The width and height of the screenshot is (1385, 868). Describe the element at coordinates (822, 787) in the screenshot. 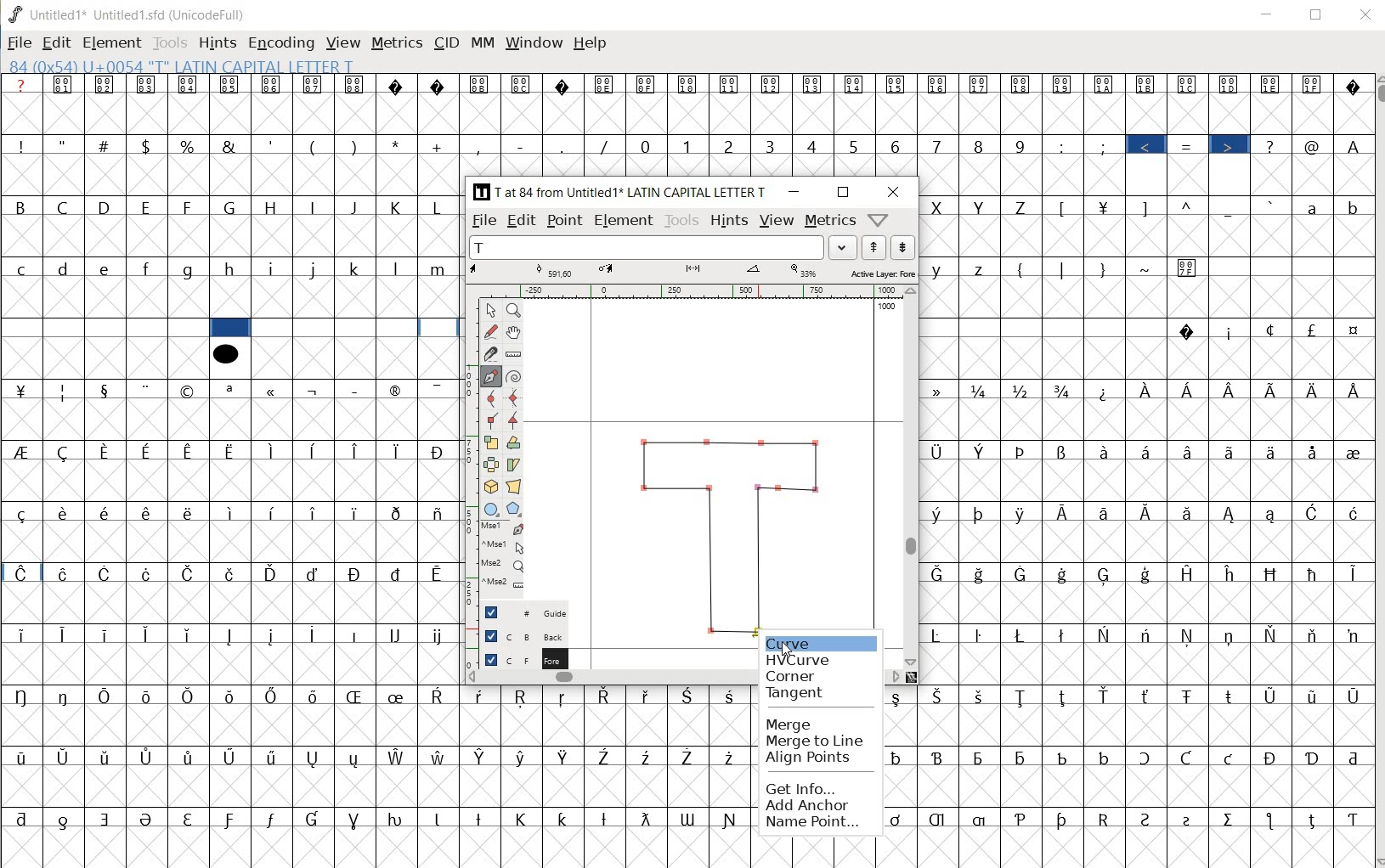

I see `get info` at that location.